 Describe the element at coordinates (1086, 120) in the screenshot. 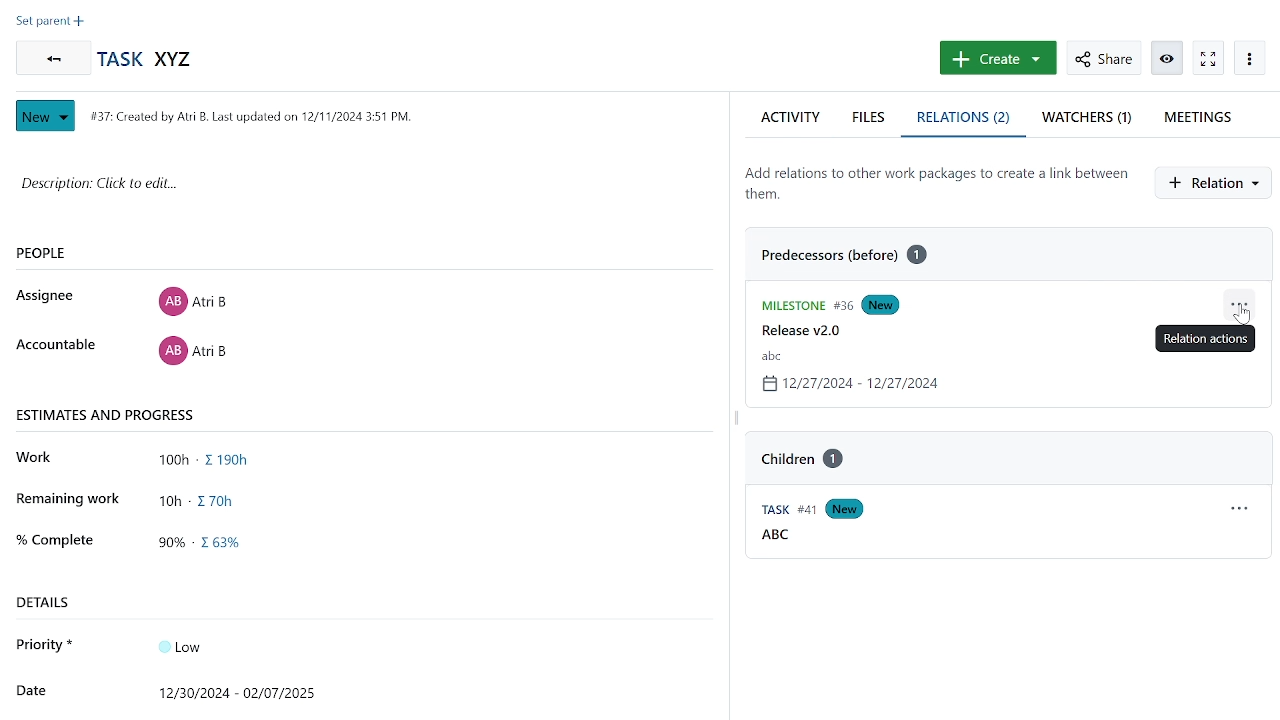

I see `watchers` at that location.